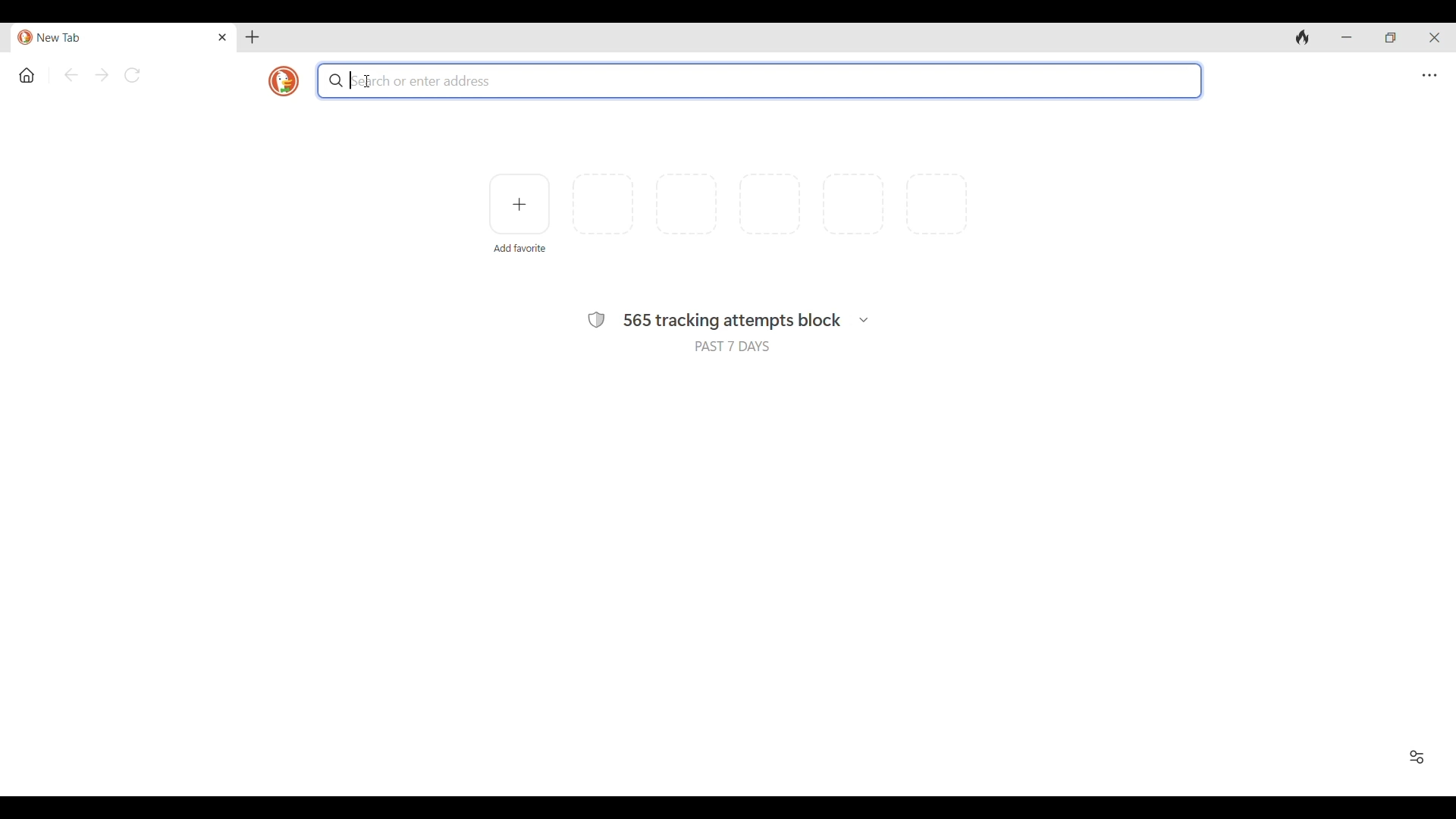 The width and height of the screenshot is (1456, 819). Describe the element at coordinates (520, 249) in the screenshot. I see `Add favorite` at that location.